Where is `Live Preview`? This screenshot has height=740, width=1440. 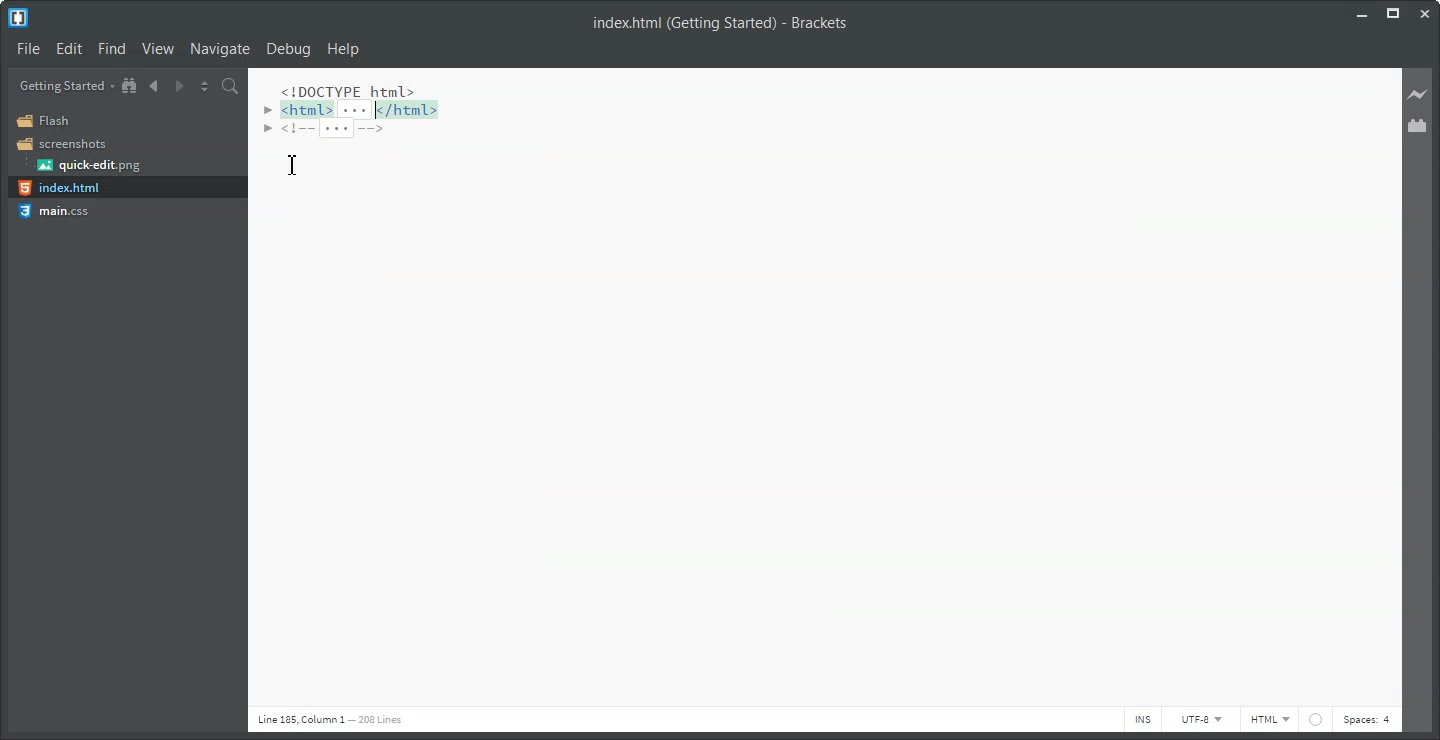
Live Preview is located at coordinates (1420, 94).